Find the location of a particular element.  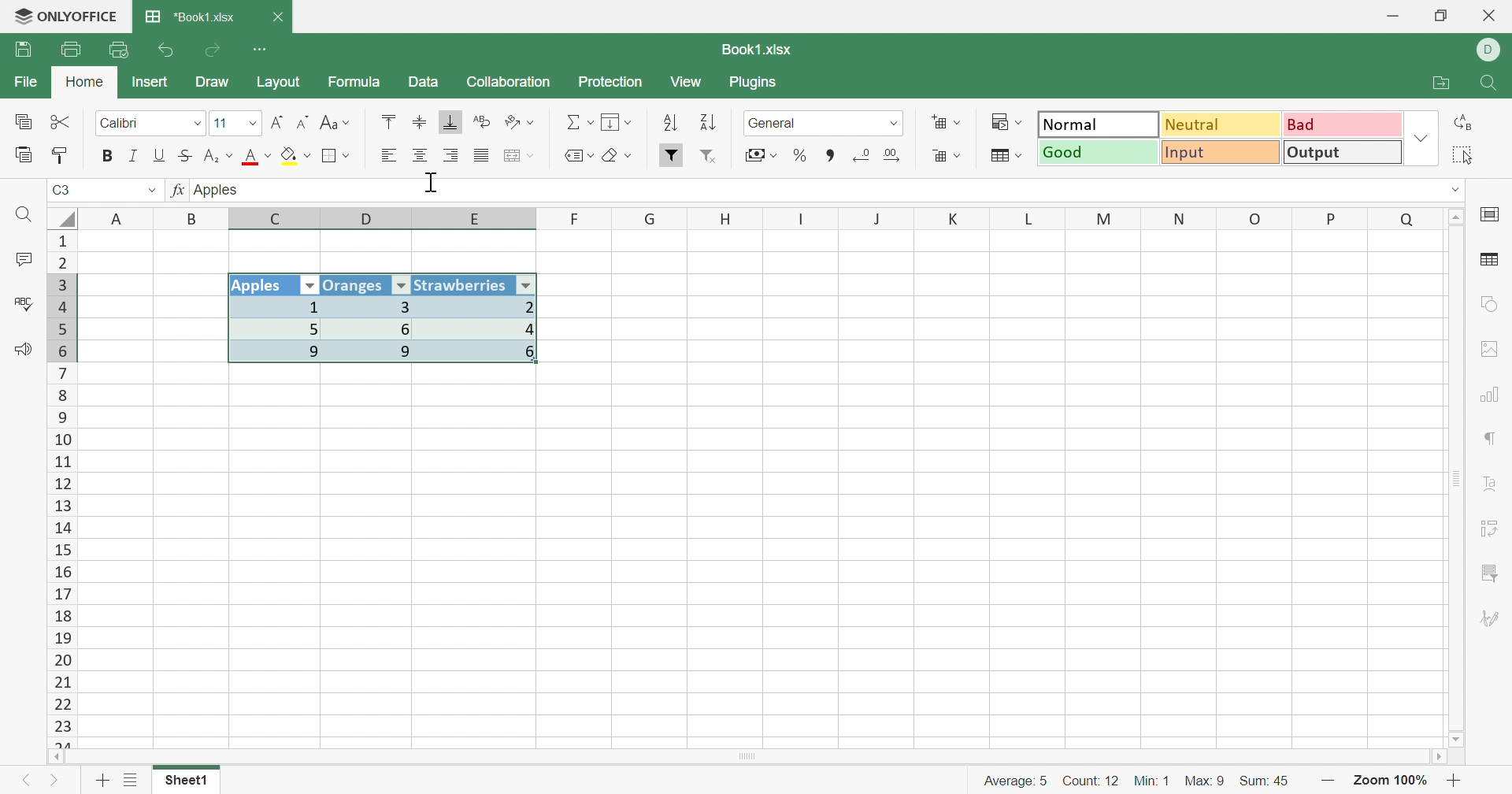

Summation is located at coordinates (580, 123).